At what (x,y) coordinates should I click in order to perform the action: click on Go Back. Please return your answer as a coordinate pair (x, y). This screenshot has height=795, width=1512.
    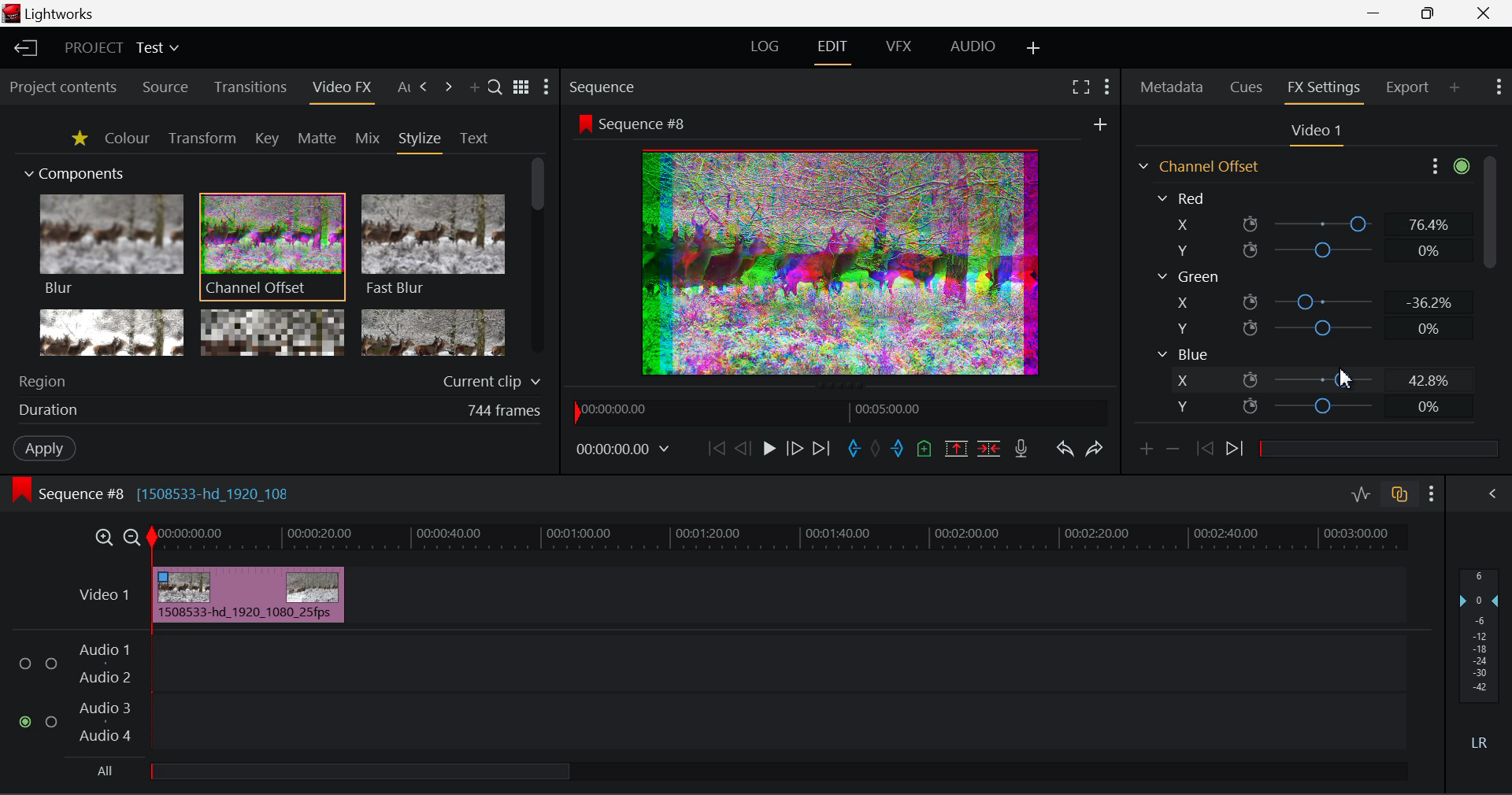
    Looking at the image, I should click on (741, 449).